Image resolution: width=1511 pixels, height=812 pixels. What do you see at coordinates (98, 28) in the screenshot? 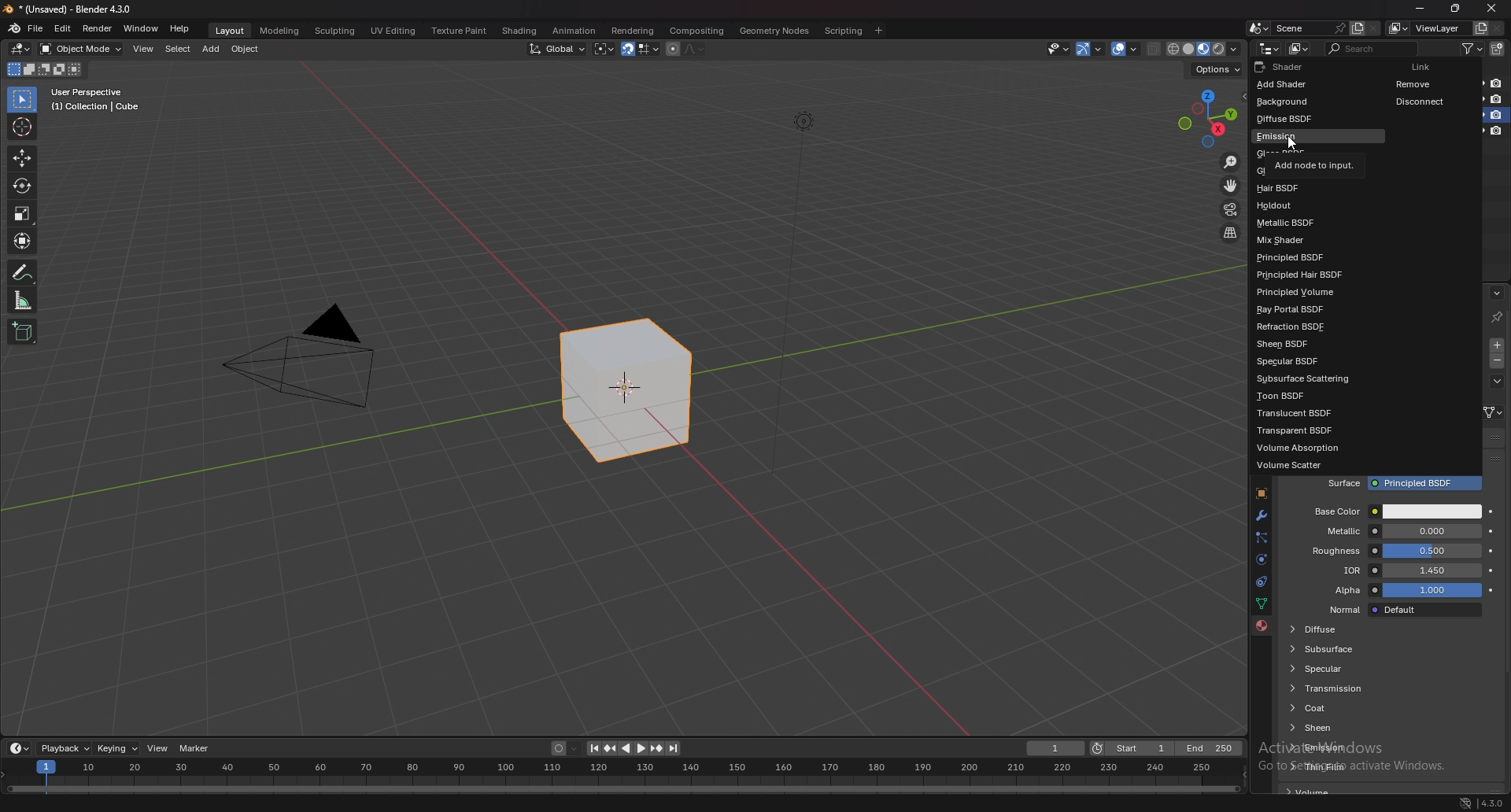
I see `render` at bounding box center [98, 28].